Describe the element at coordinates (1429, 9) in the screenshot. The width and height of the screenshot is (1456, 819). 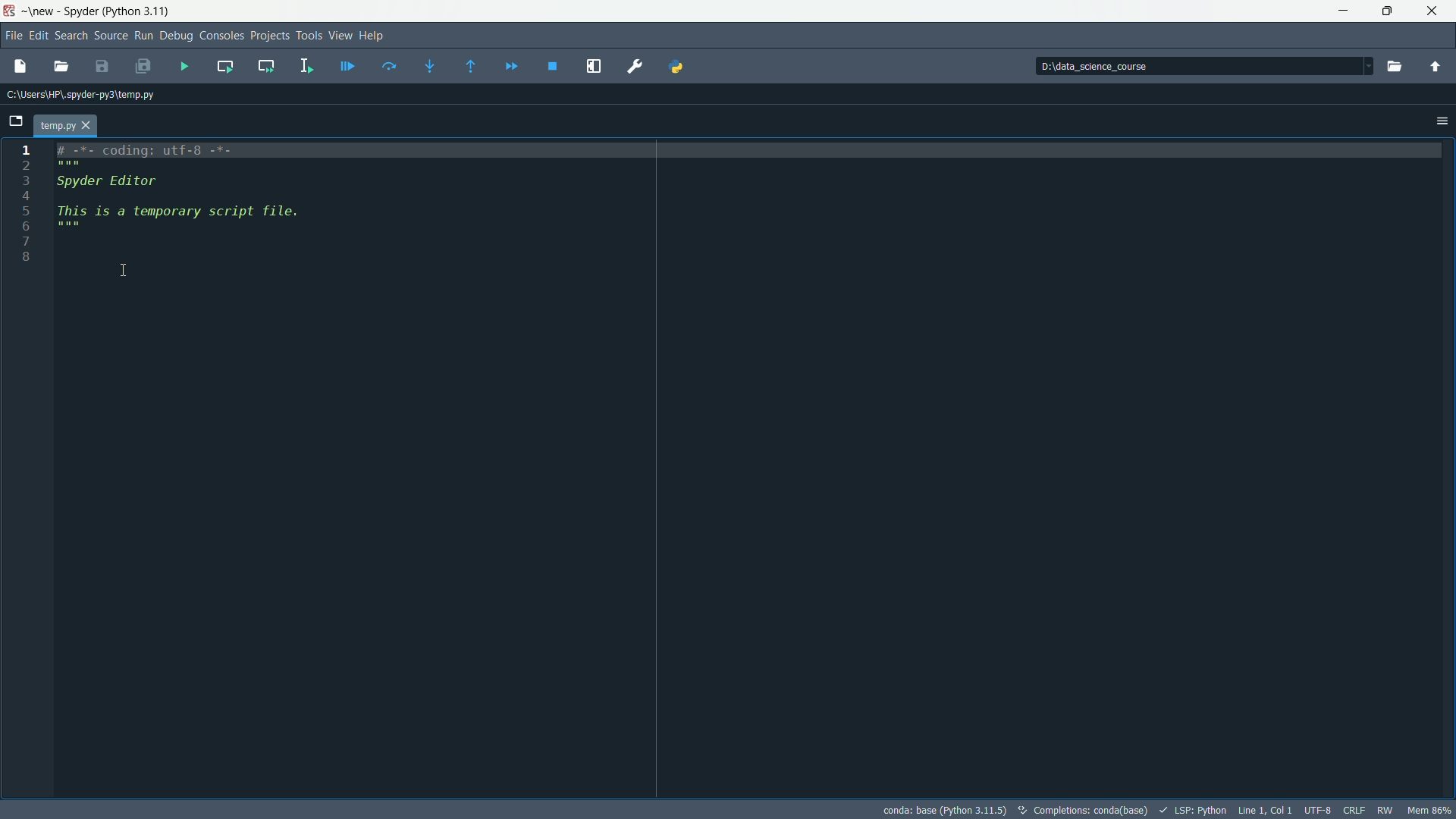
I see `close` at that location.